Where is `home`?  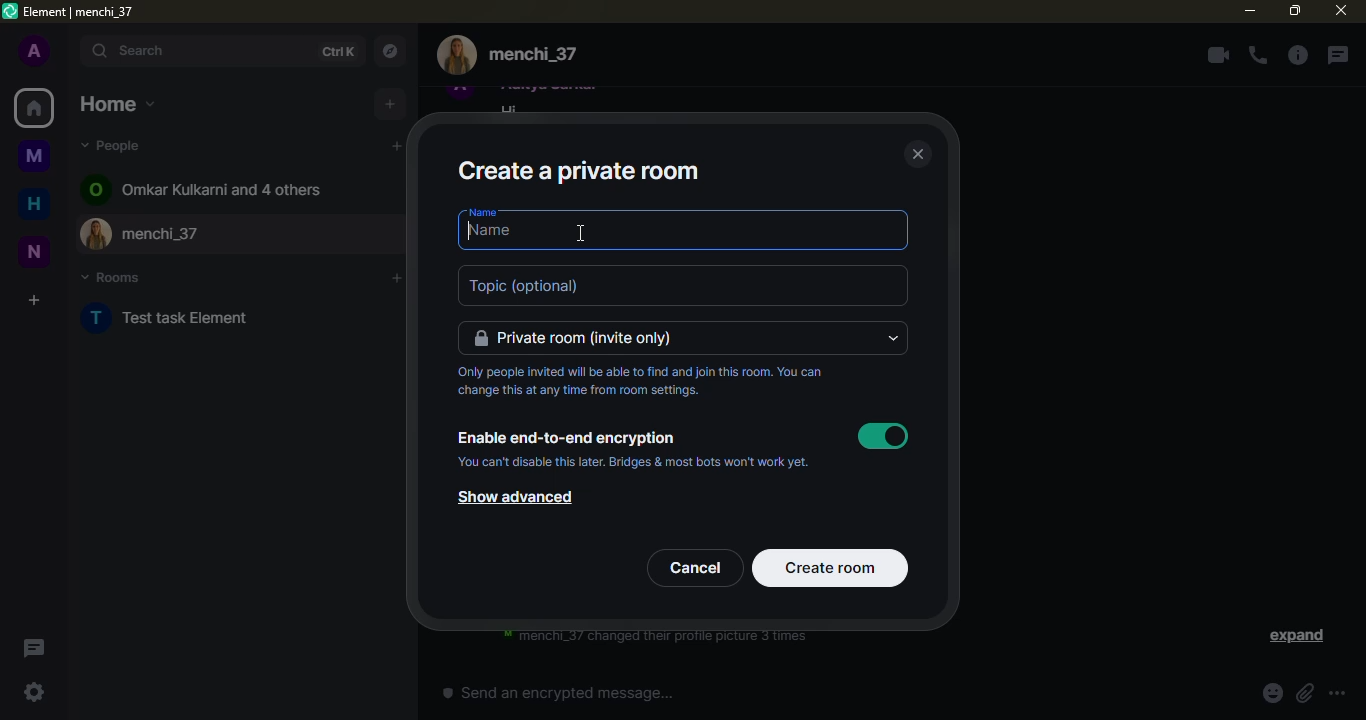
home is located at coordinates (34, 203).